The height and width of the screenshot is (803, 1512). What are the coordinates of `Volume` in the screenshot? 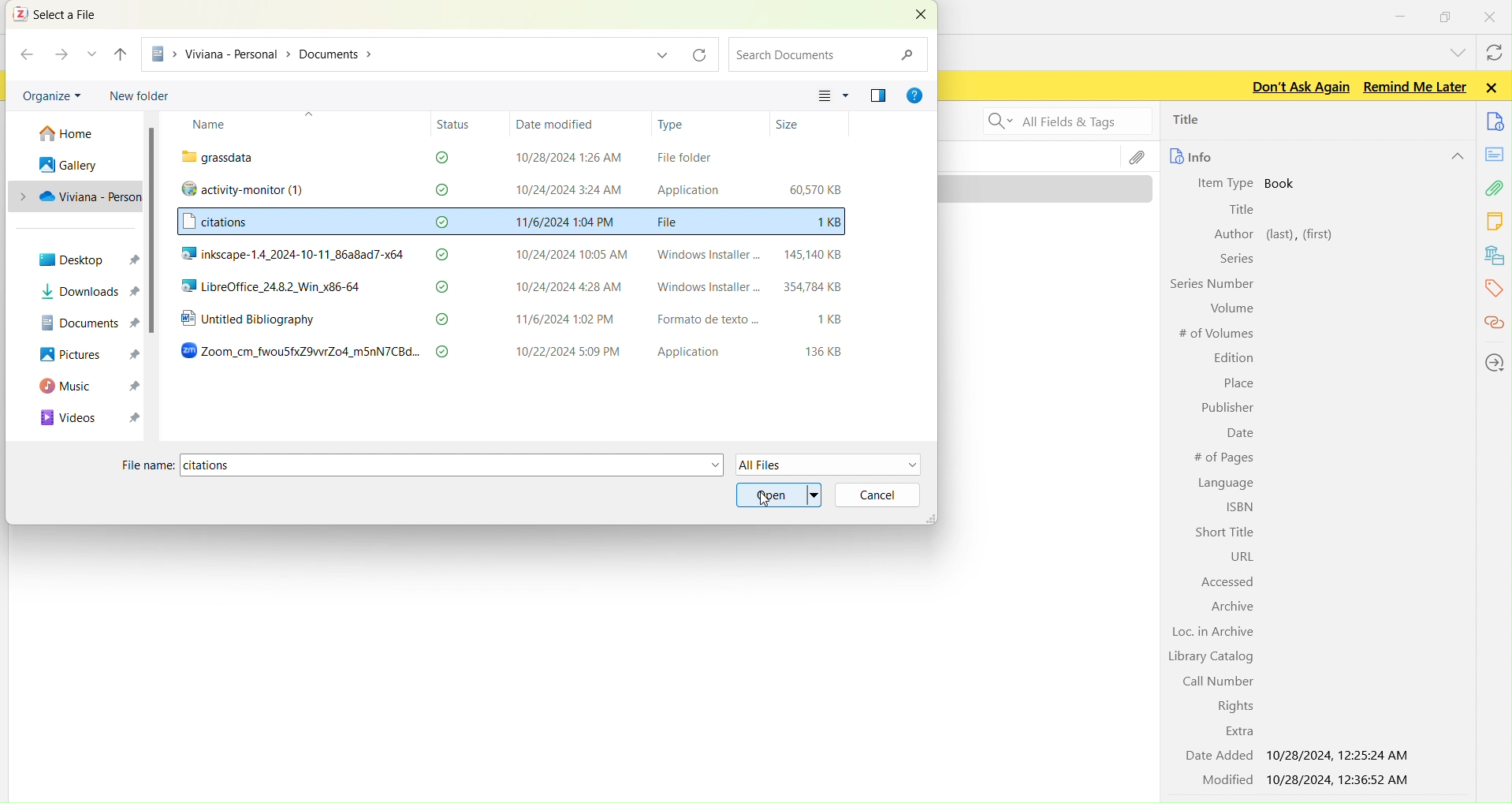 It's located at (1229, 308).